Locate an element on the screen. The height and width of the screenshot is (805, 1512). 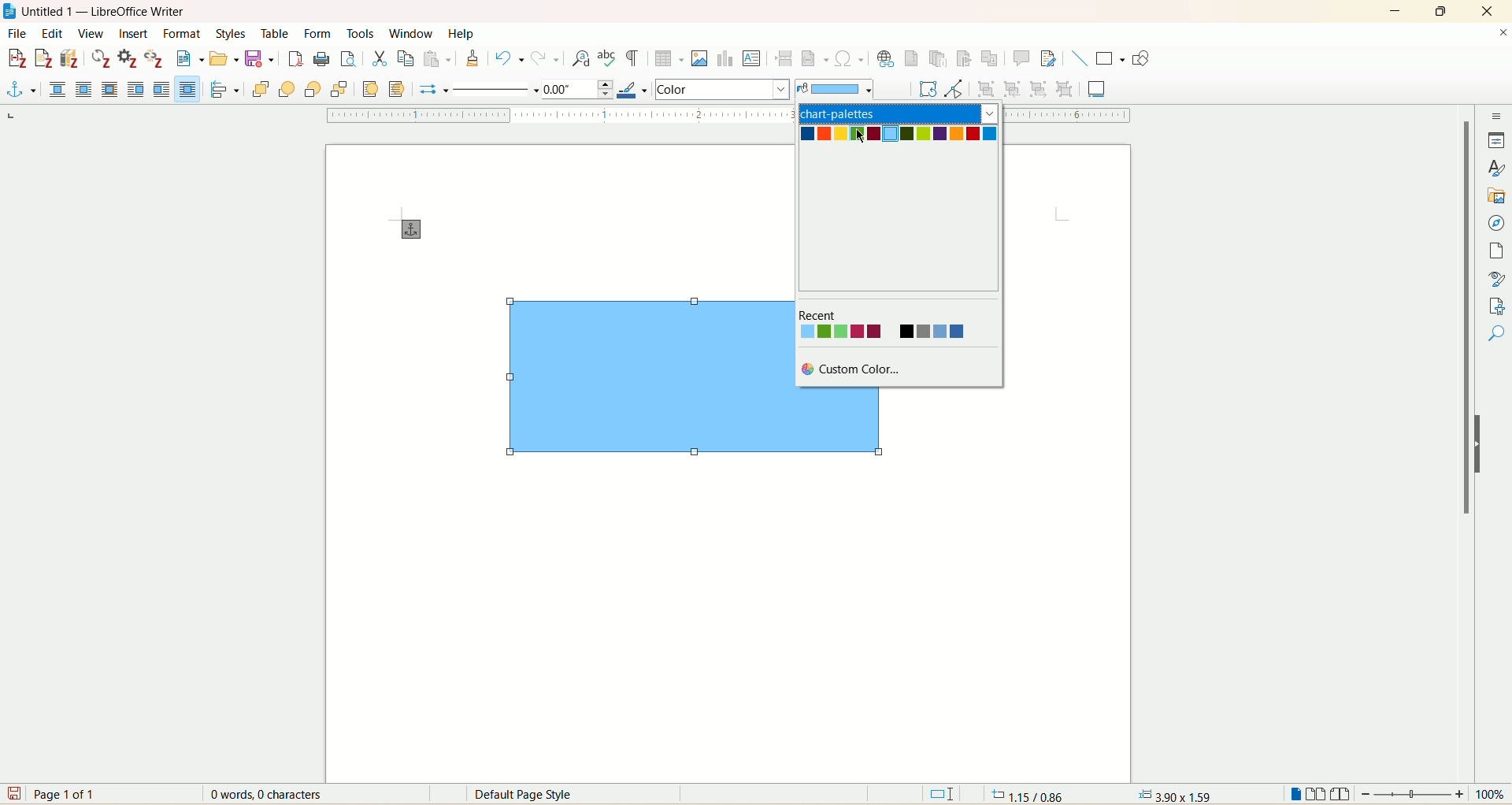
insert textbox is located at coordinates (754, 58).